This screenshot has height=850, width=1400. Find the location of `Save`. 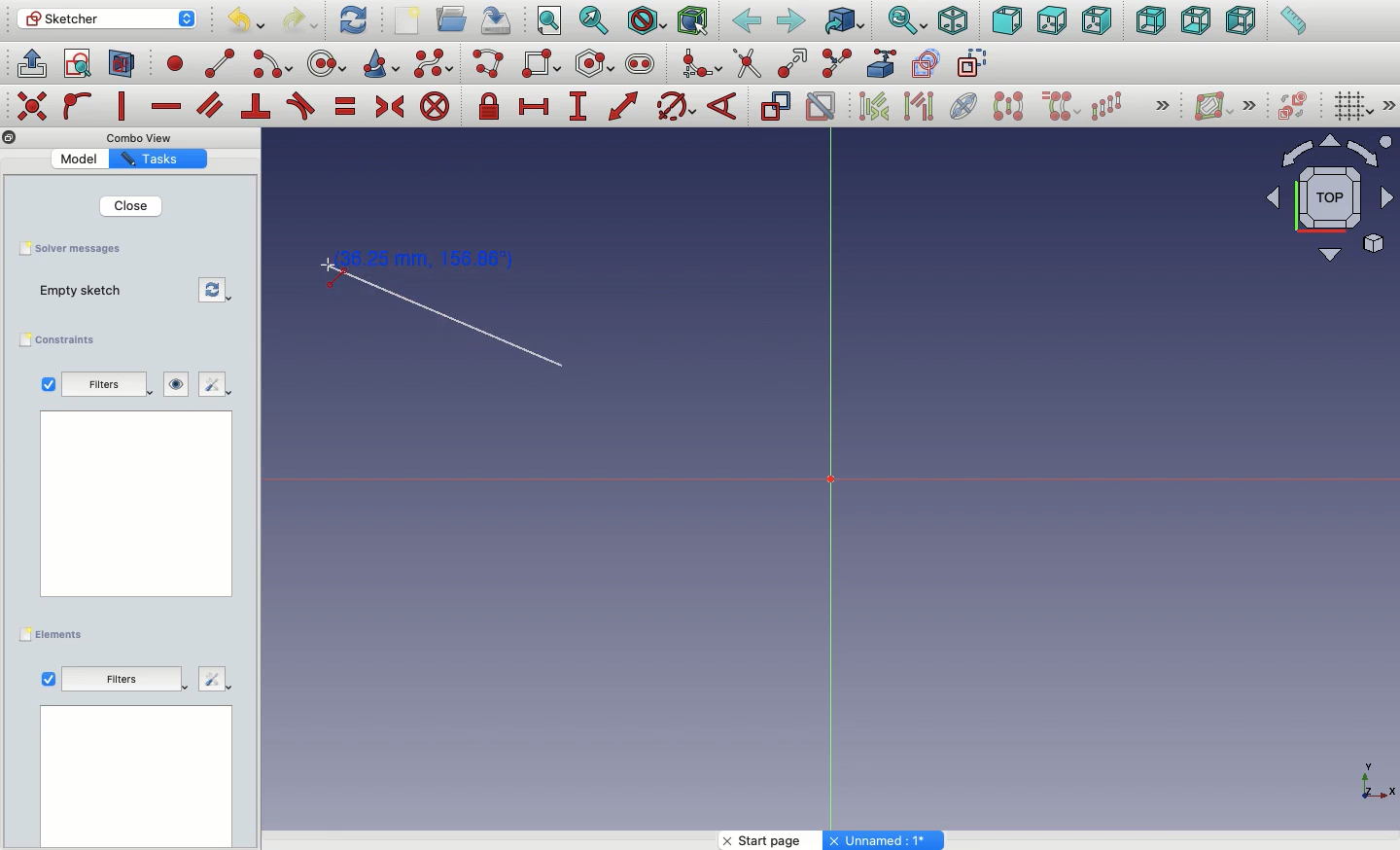

Save is located at coordinates (501, 20).